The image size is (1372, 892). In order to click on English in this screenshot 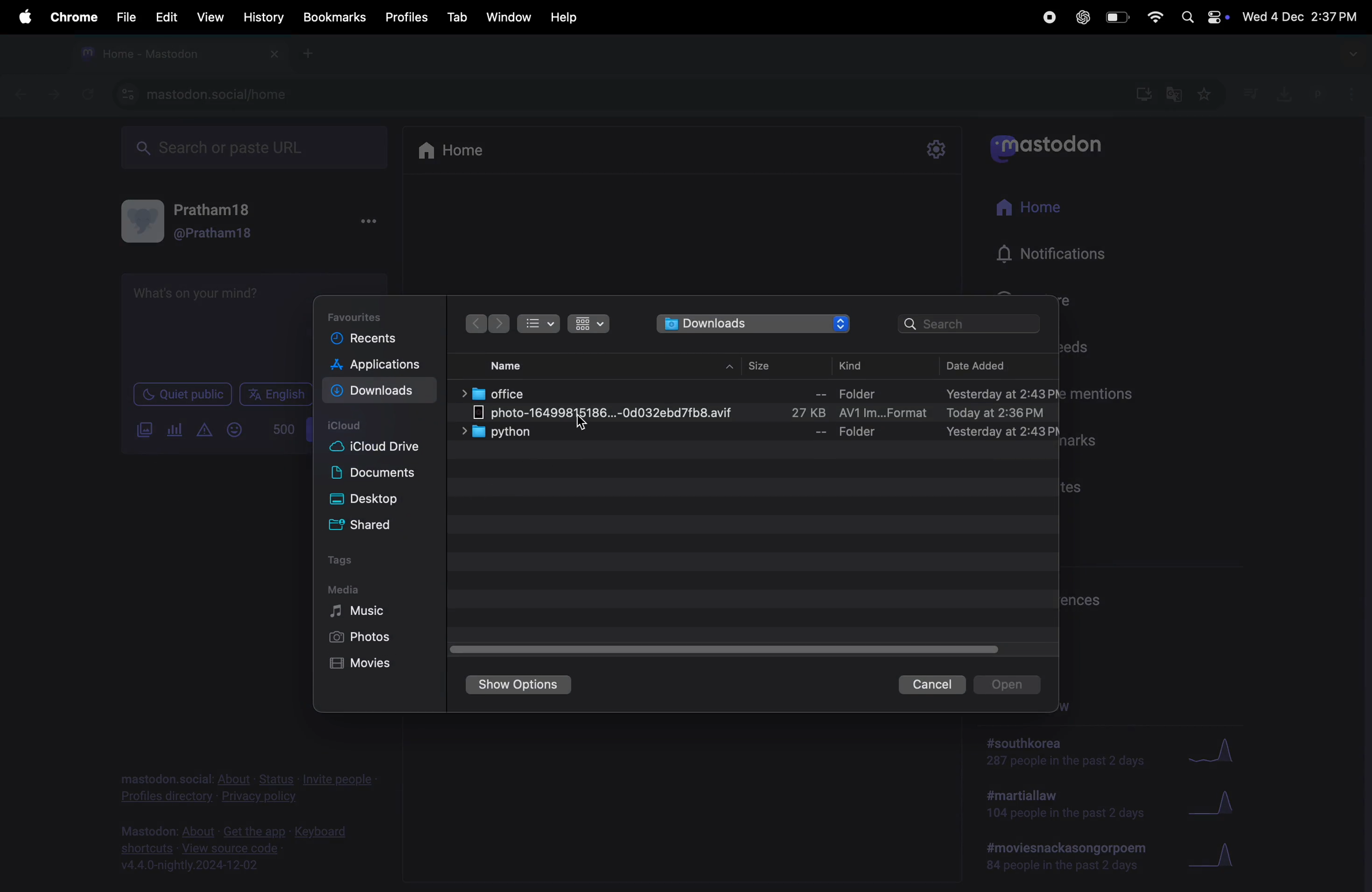, I will do `click(276, 394)`.